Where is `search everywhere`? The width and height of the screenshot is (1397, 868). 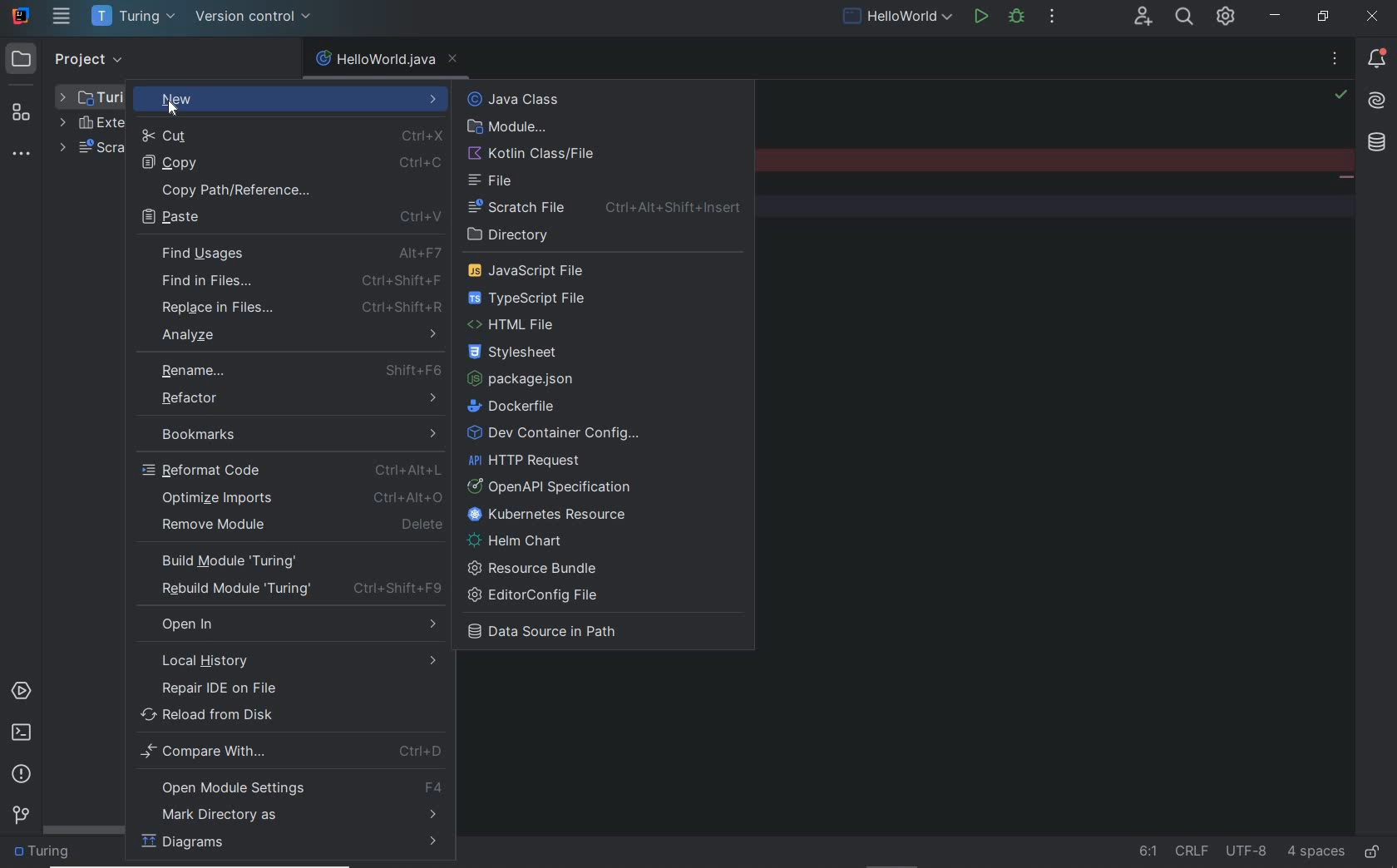 search everywhere is located at coordinates (1185, 18).